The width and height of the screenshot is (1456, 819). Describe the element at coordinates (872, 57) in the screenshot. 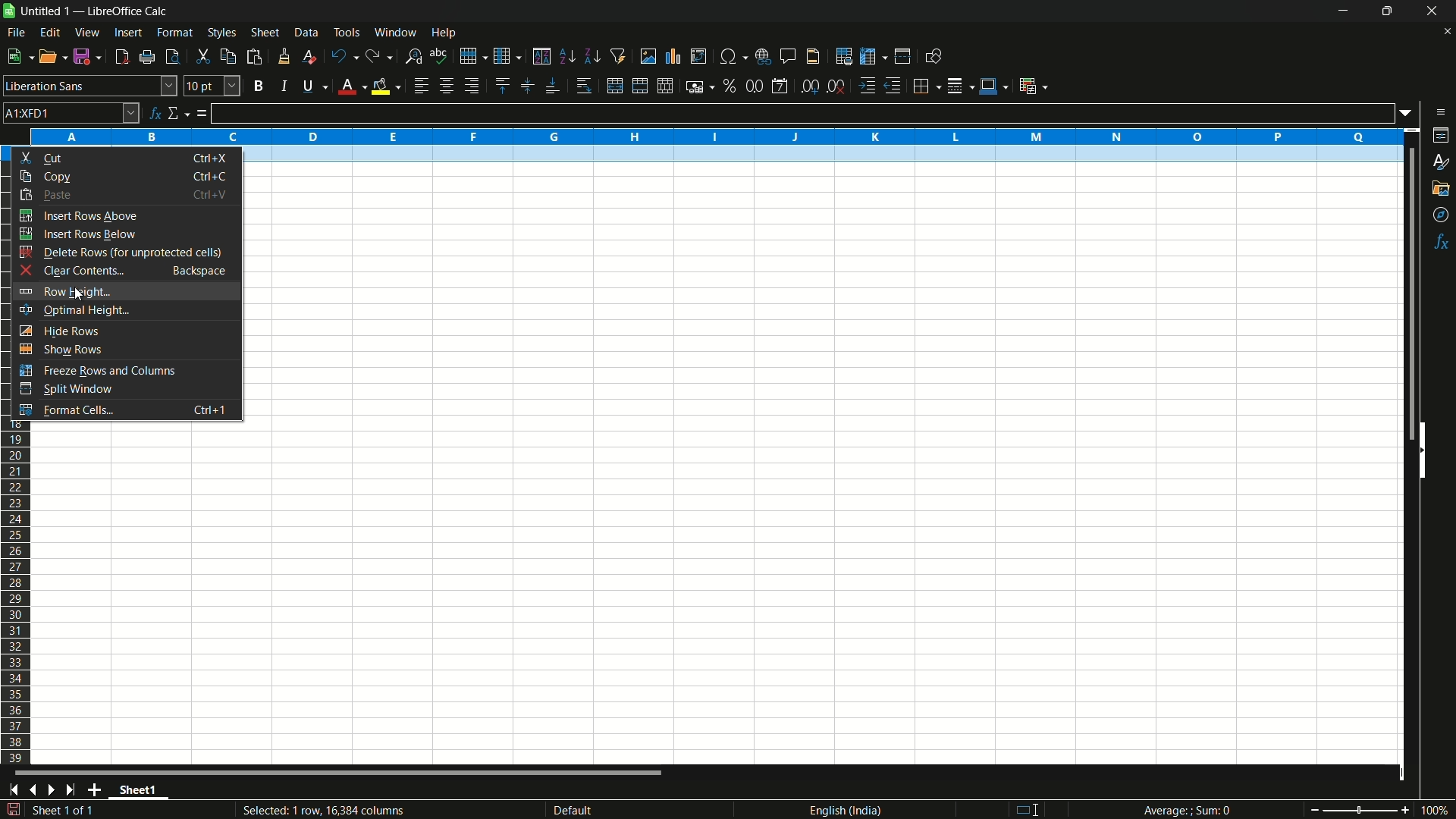

I see `freeze rows and columns` at that location.